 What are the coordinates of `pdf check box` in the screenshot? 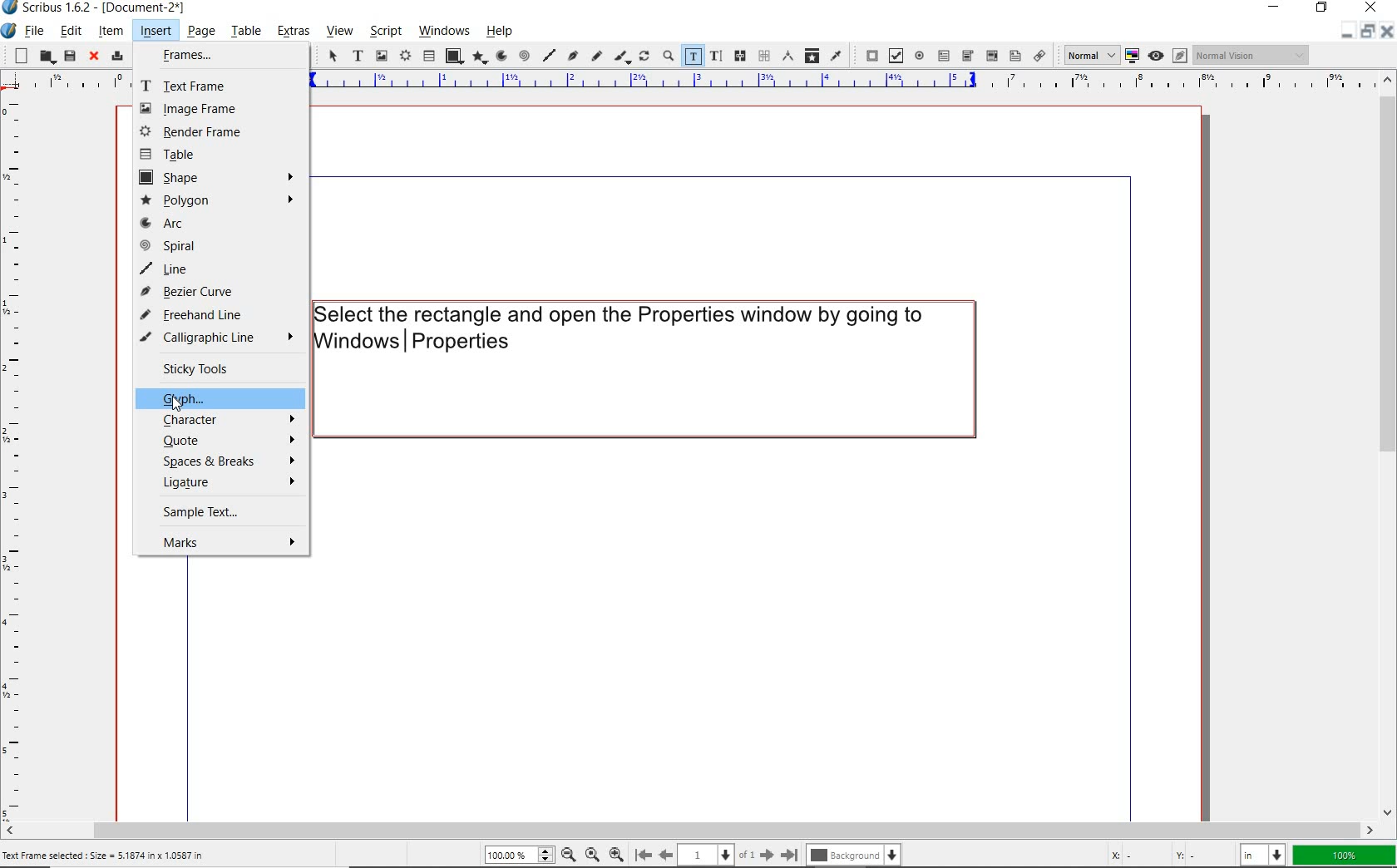 It's located at (895, 55).